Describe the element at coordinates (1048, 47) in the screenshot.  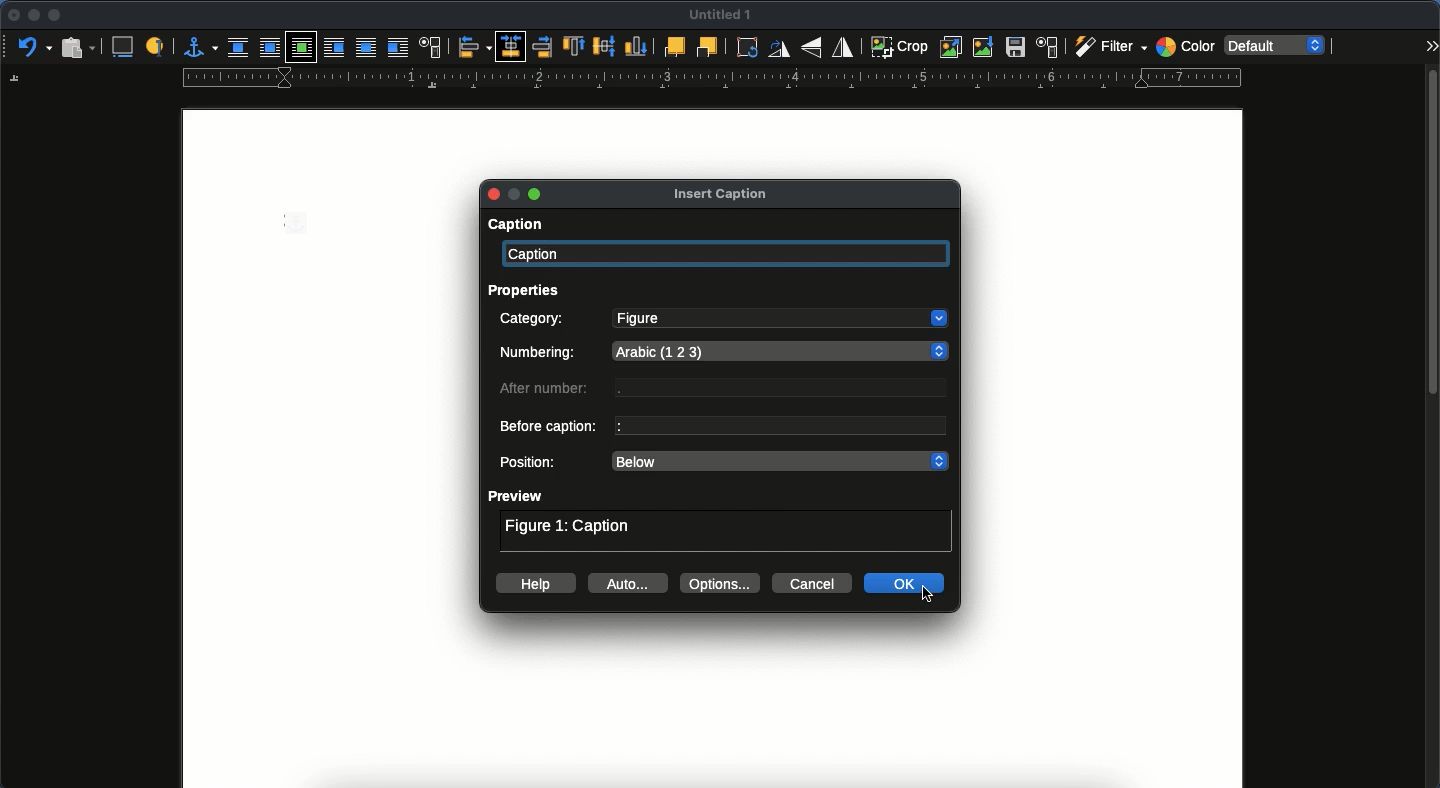
I see `image properties` at that location.